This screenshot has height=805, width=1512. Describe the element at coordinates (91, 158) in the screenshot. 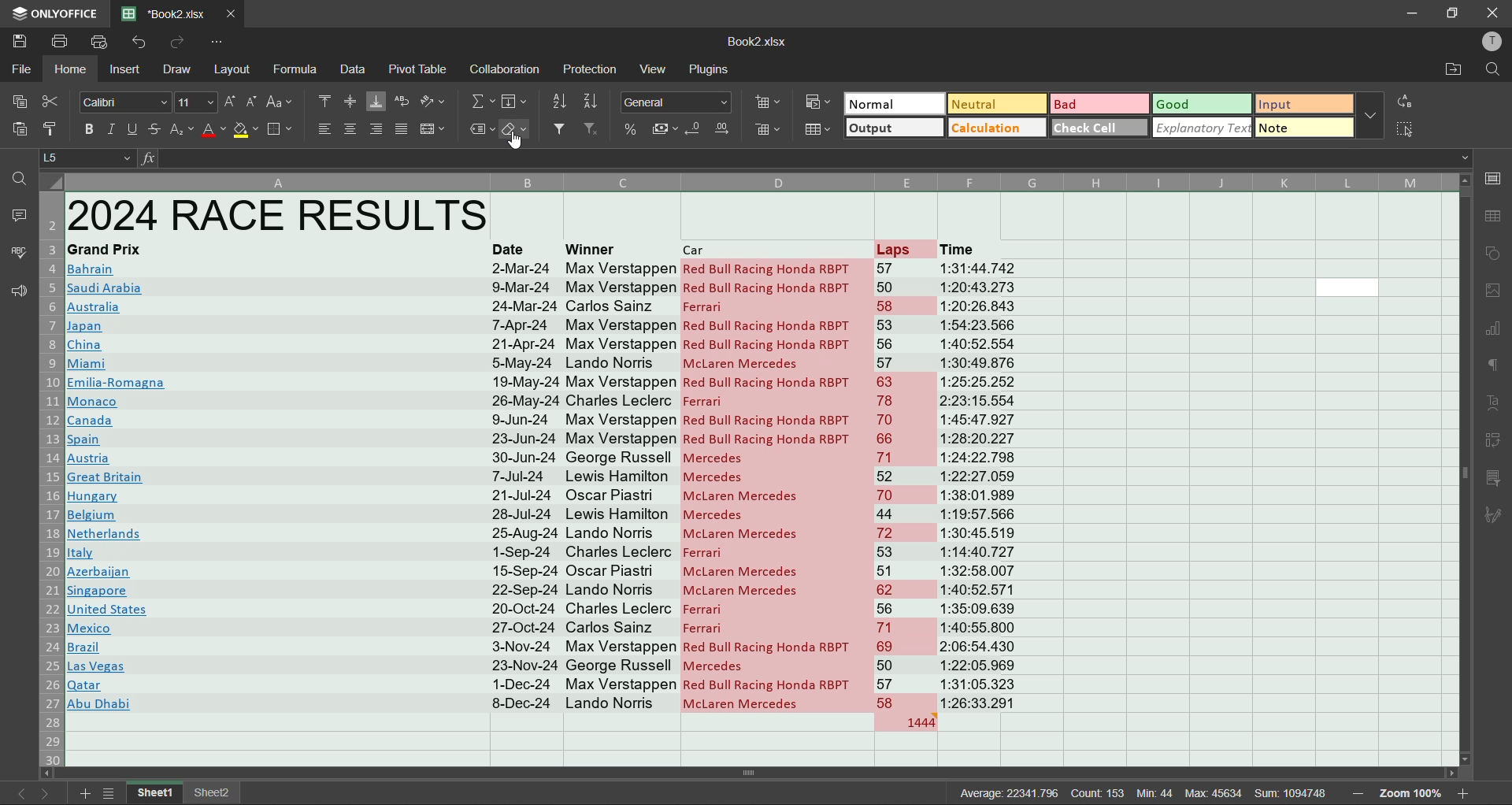

I see `cell address` at that location.